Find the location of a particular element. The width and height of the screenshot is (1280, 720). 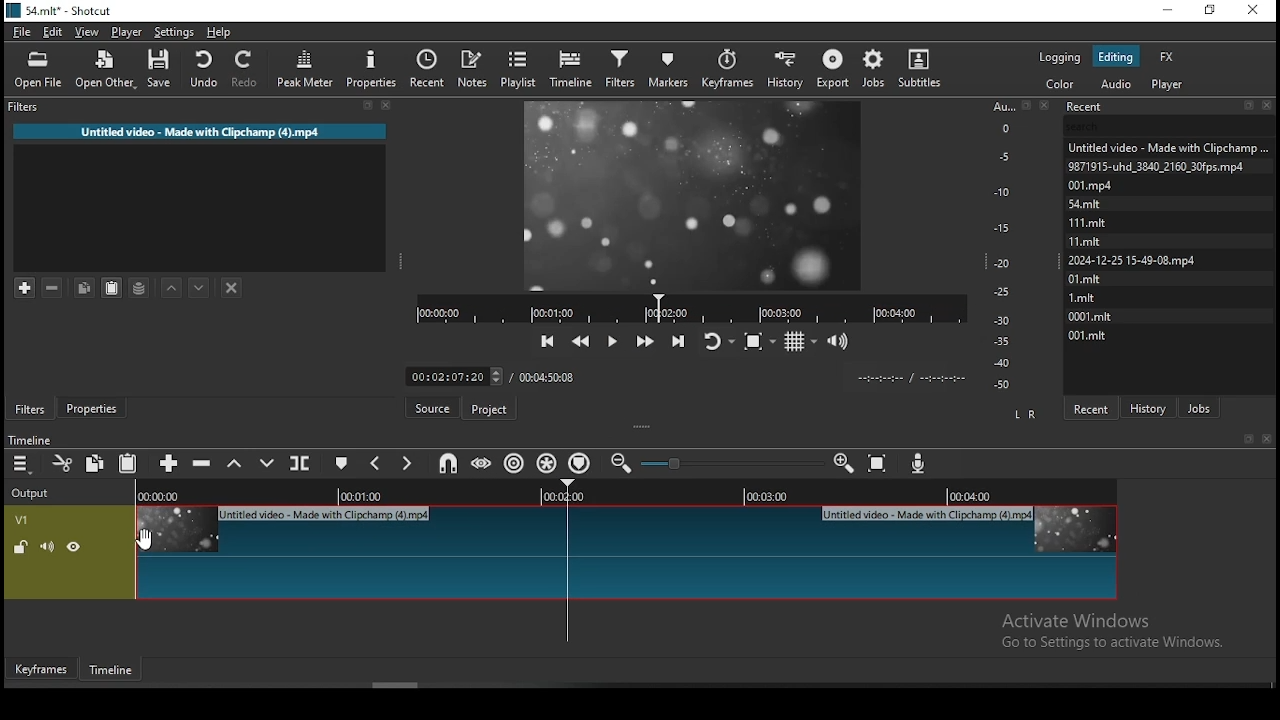

remove selected filters is located at coordinates (51, 284).